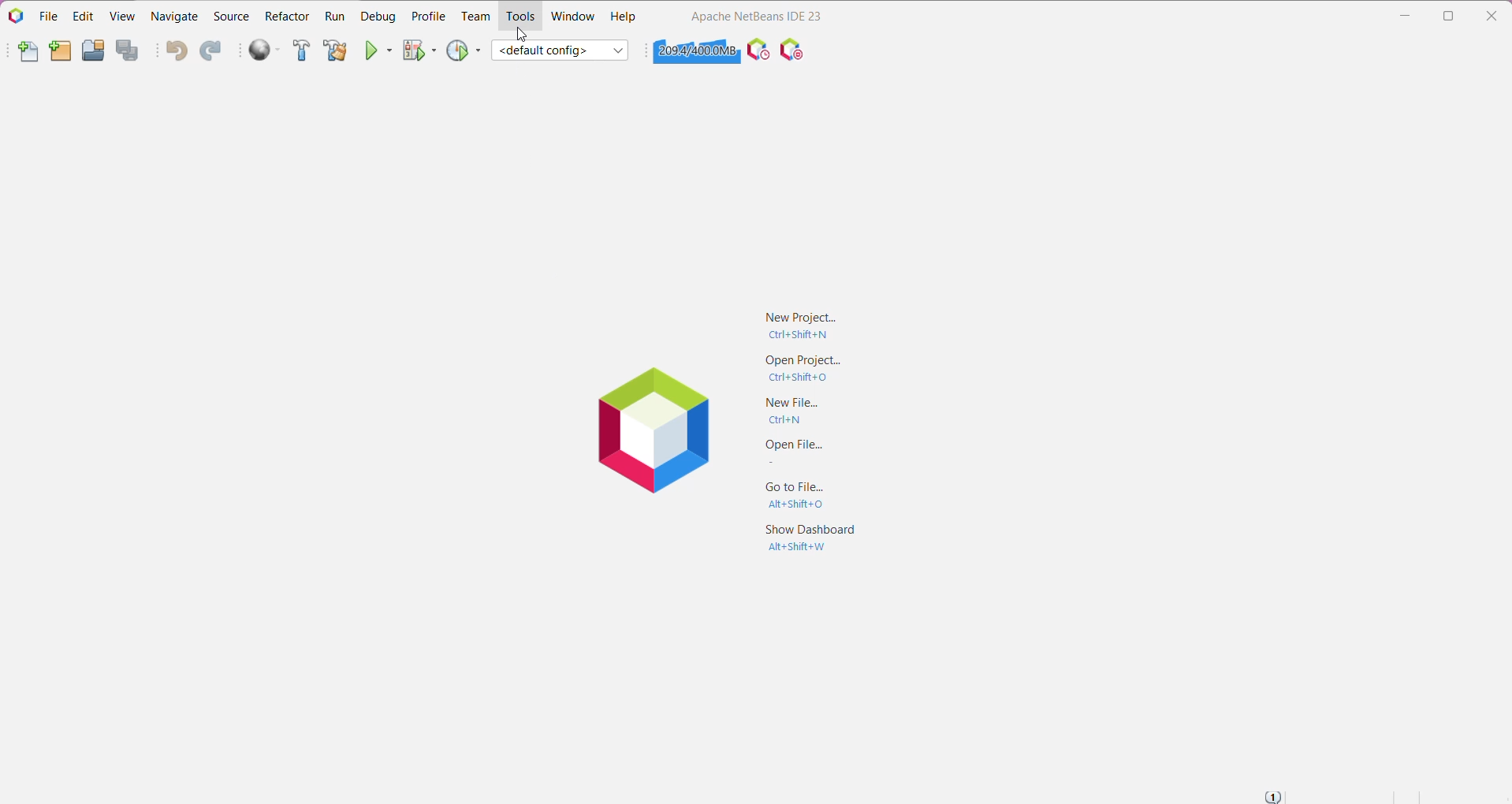 This screenshot has height=804, width=1512. What do you see at coordinates (1272, 796) in the screenshot?
I see `Notifications` at bounding box center [1272, 796].